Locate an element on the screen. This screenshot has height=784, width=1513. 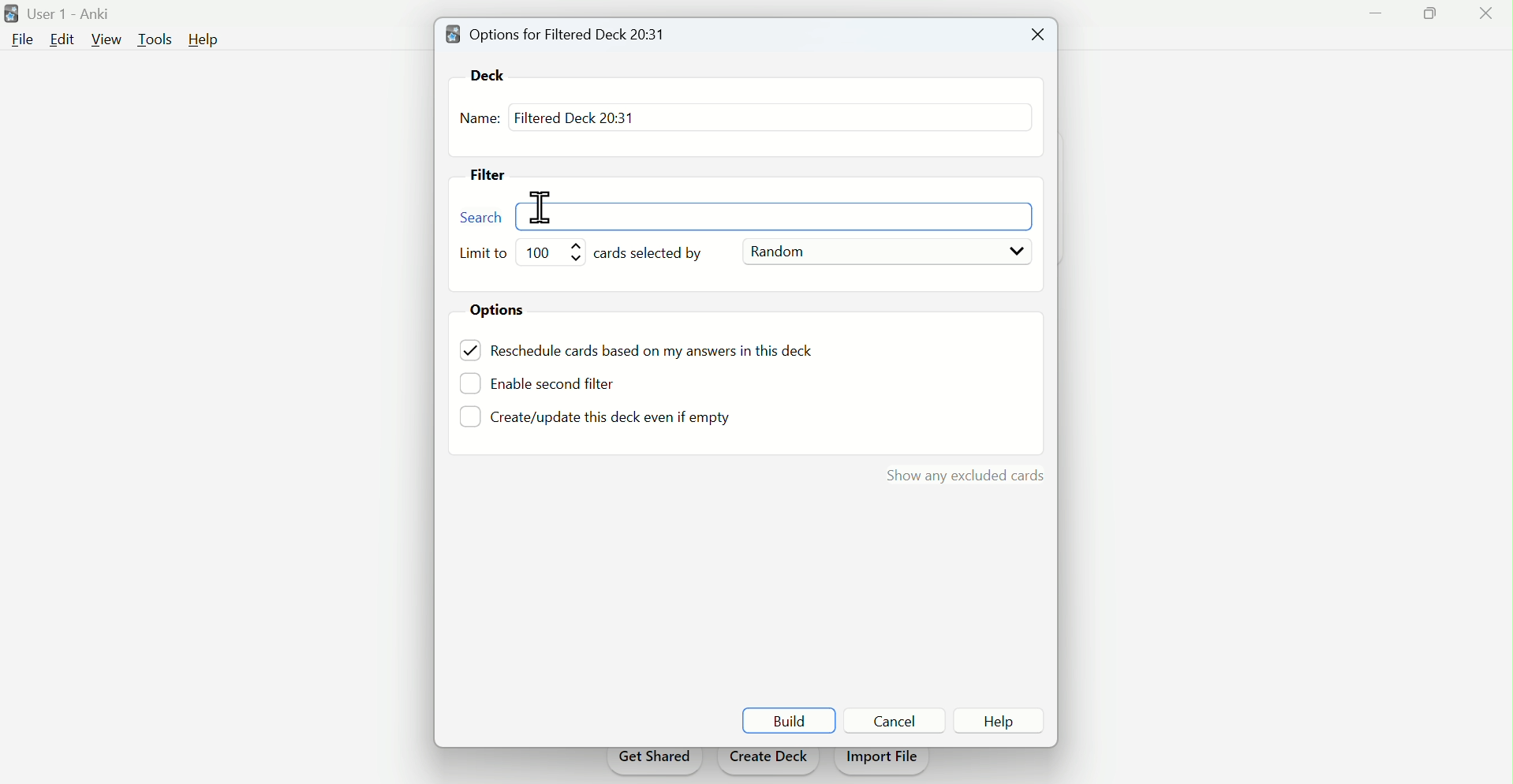
Close tab is located at coordinates (1034, 35).